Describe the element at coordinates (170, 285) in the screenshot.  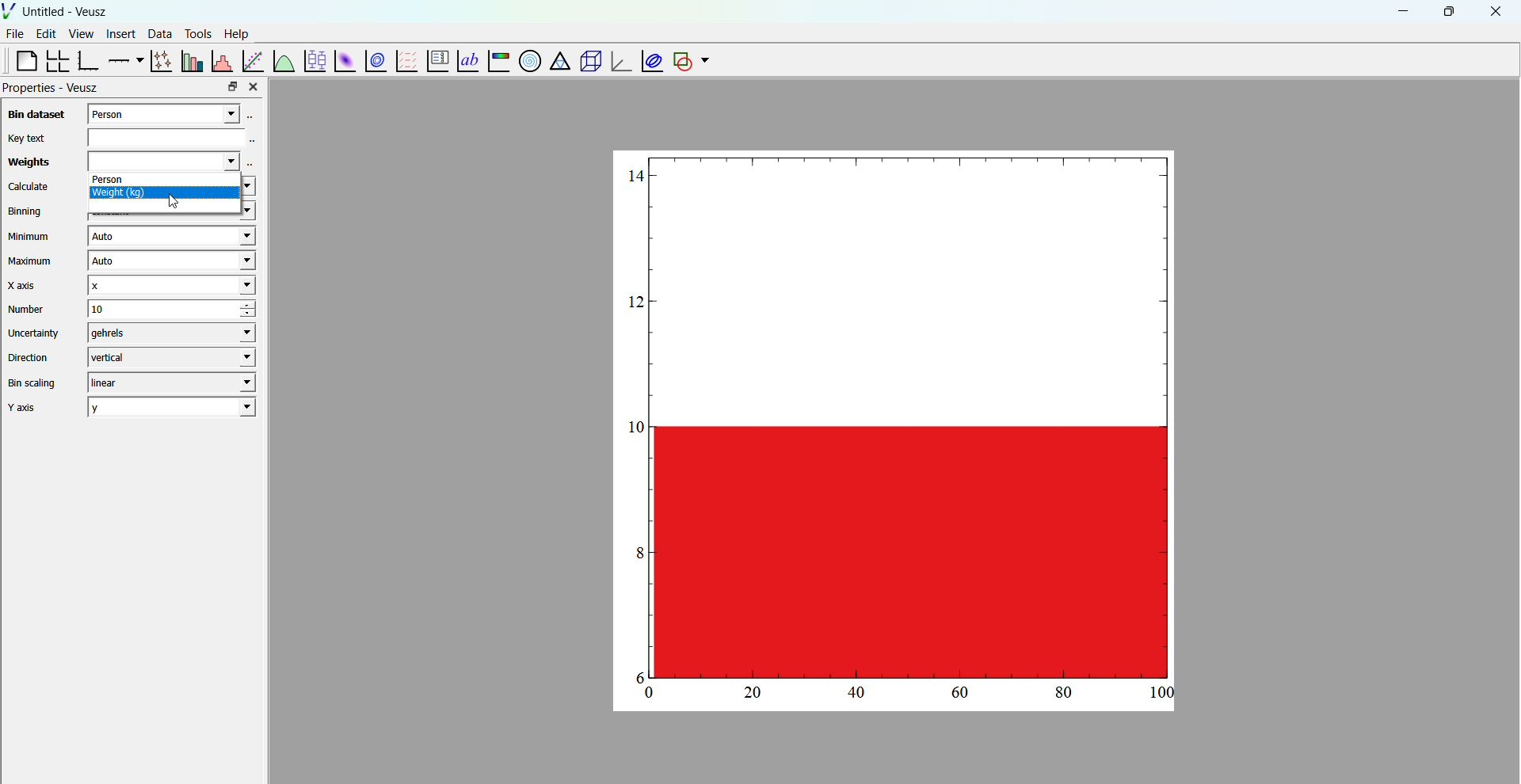
I see `x ` at that location.